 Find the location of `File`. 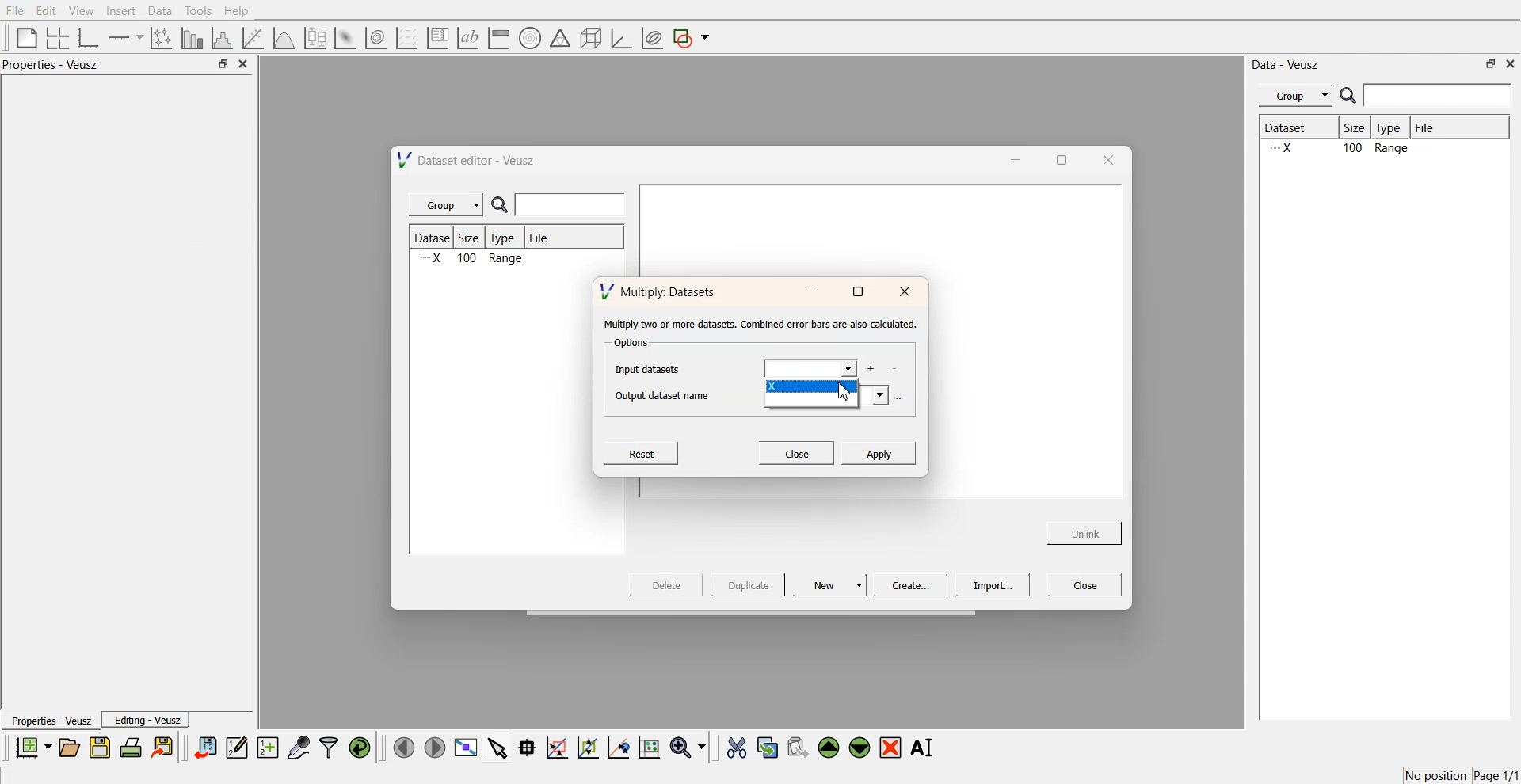

File is located at coordinates (1439, 127).